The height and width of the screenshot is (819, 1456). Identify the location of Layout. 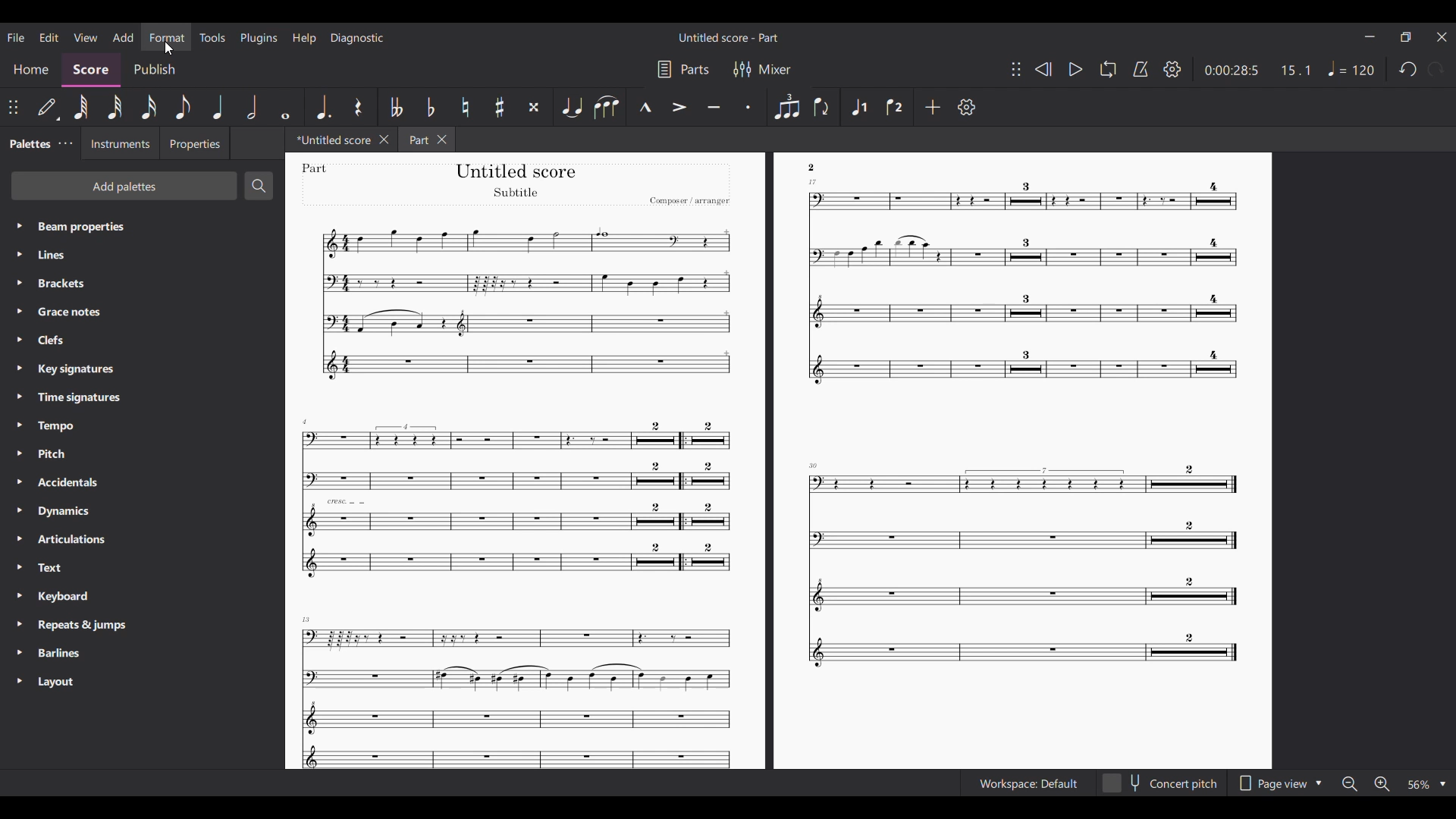
(54, 682).